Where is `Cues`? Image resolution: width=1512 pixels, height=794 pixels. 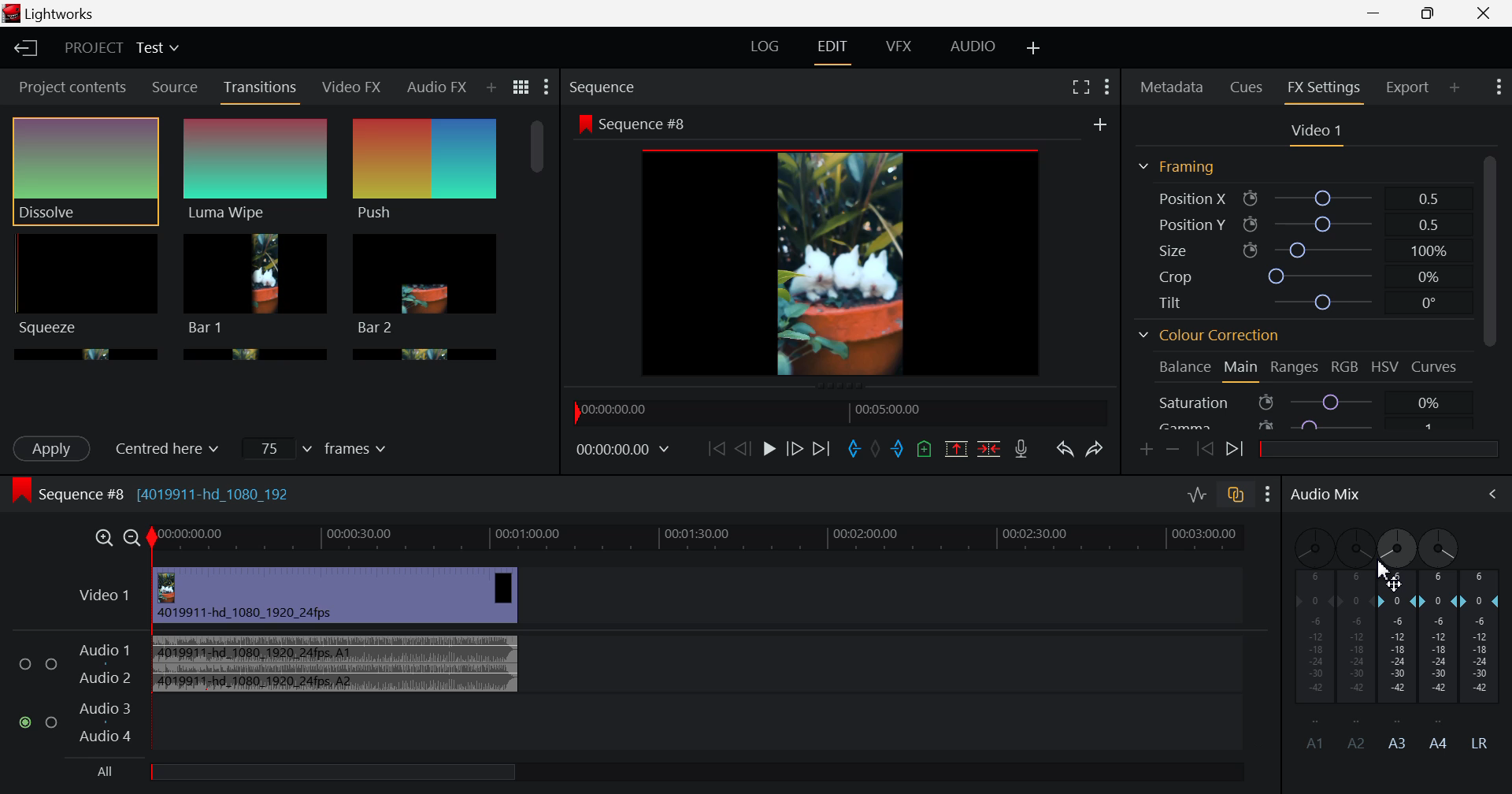
Cues is located at coordinates (1247, 87).